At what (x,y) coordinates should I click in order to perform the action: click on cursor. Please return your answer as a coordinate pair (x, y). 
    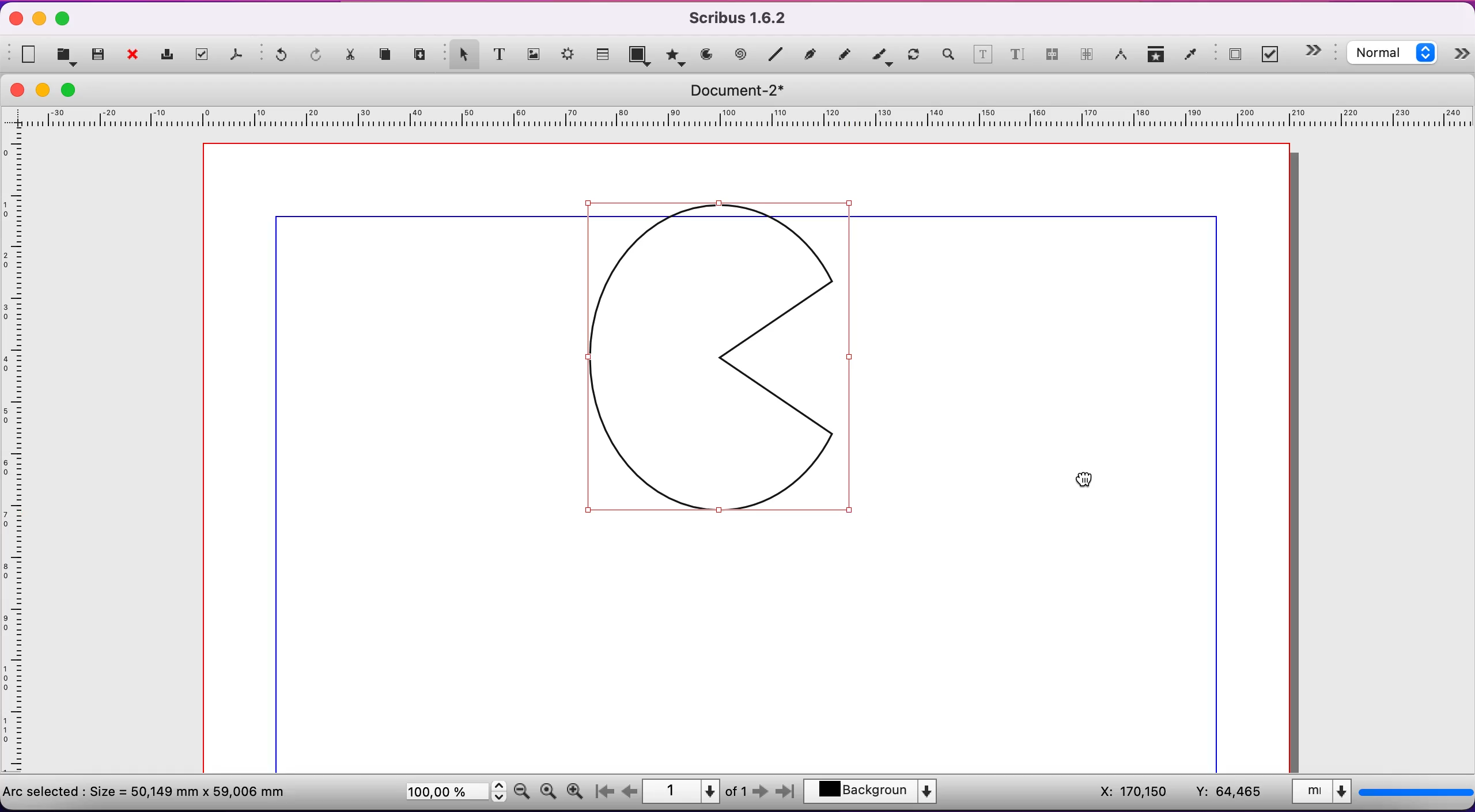
    Looking at the image, I should click on (1085, 478).